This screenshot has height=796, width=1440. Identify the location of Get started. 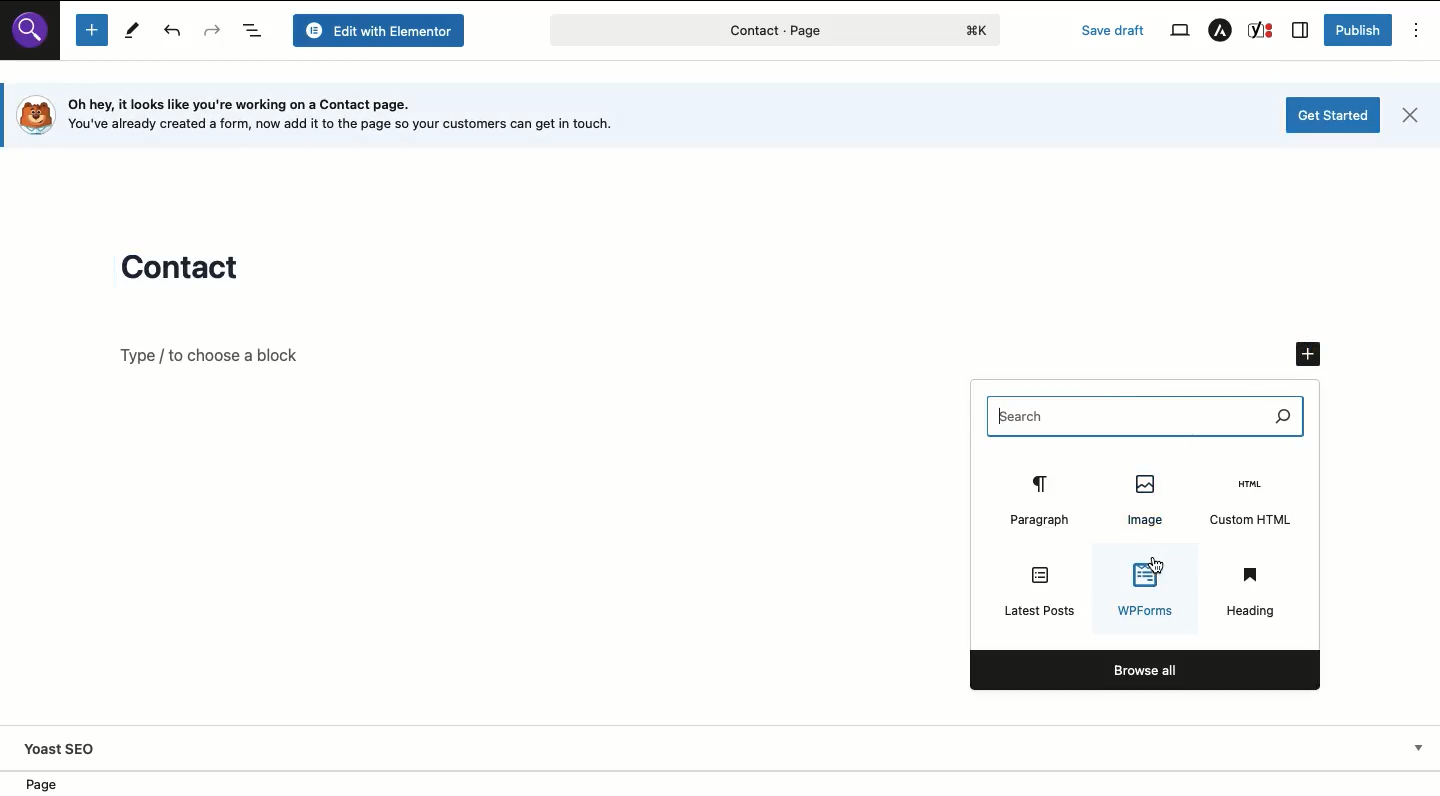
(1334, 115).